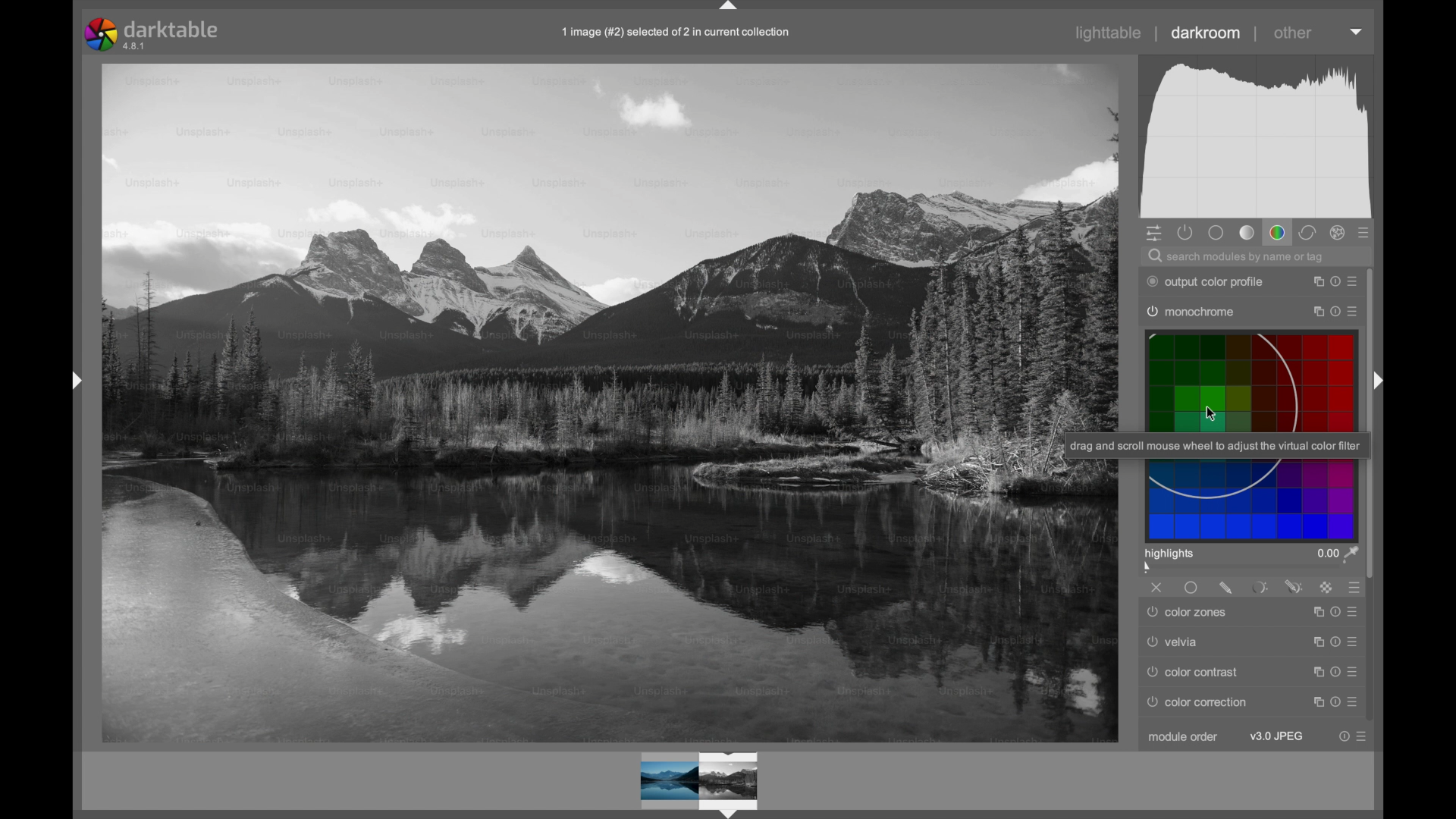 This screenshot has height=819, width=1456. I want to click on drawn mask, so click(1228, 588).